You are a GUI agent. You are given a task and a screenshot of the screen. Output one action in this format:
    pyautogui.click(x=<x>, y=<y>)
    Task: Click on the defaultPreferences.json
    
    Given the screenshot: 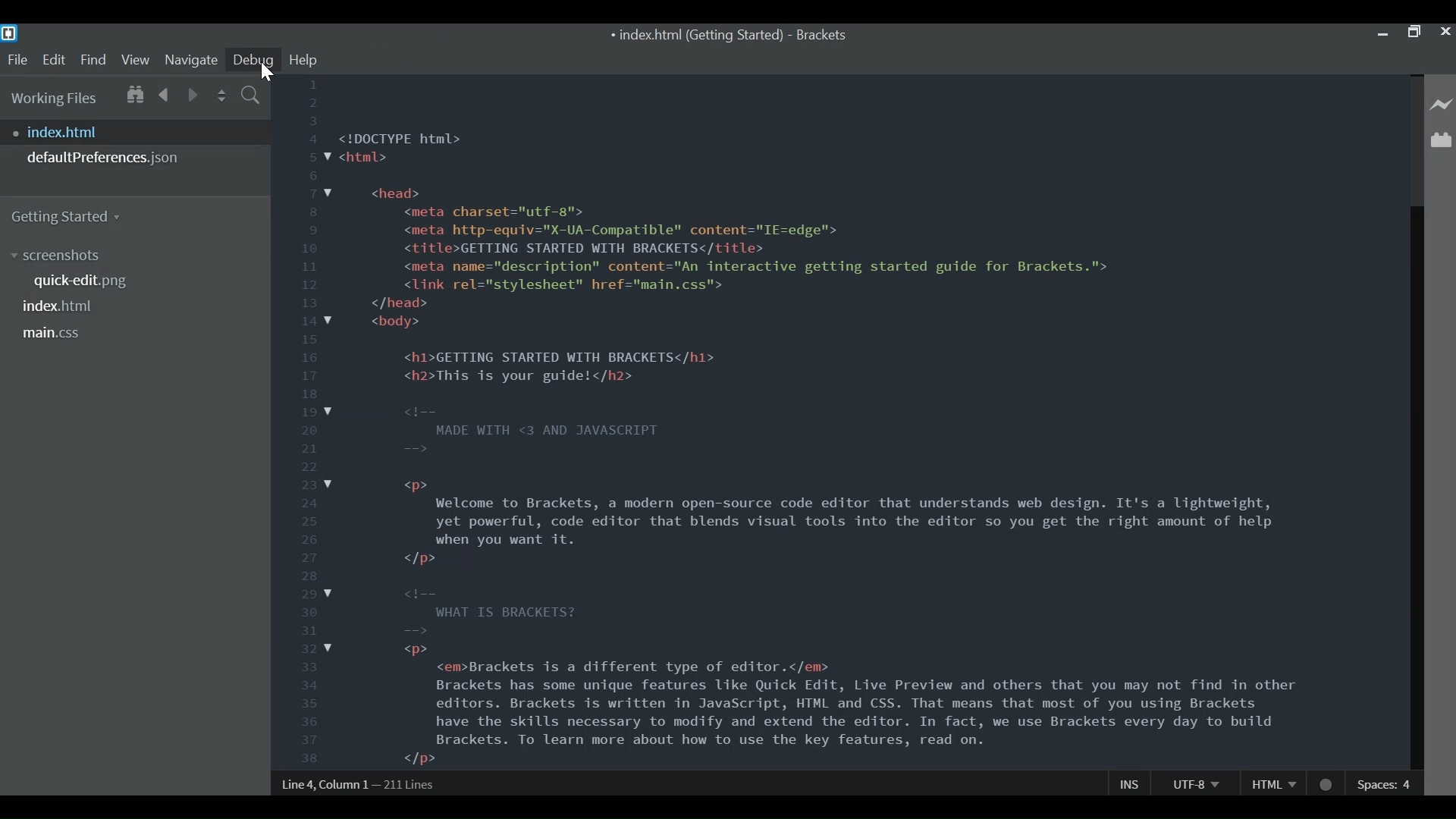 What is the action you would take?
    pyautogui.click(x=135, y=158)
    